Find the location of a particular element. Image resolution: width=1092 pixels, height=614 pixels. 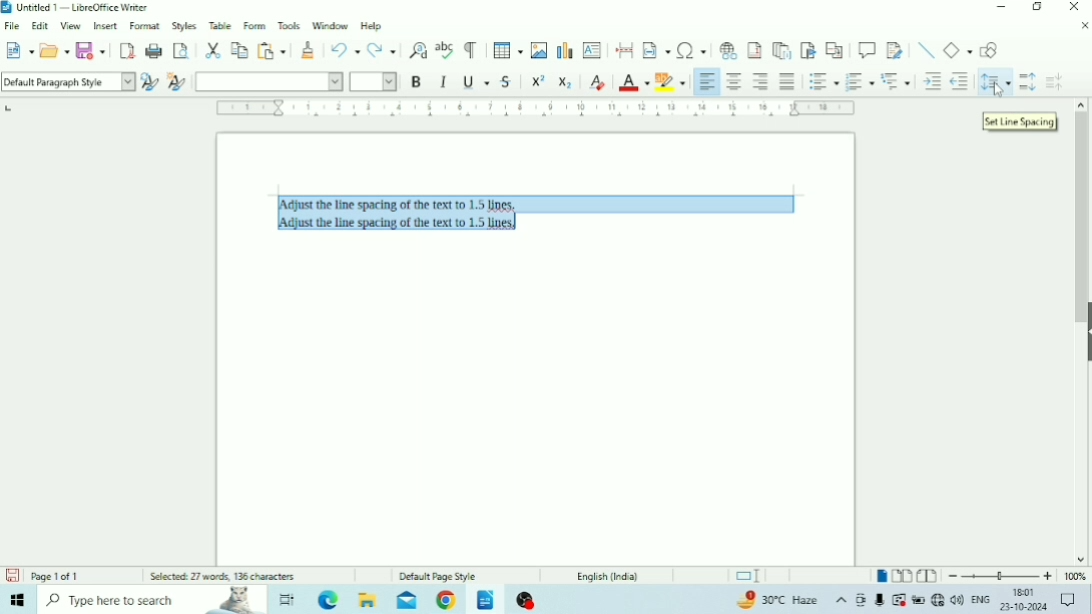

Copy is located at coordinates (239, 49).